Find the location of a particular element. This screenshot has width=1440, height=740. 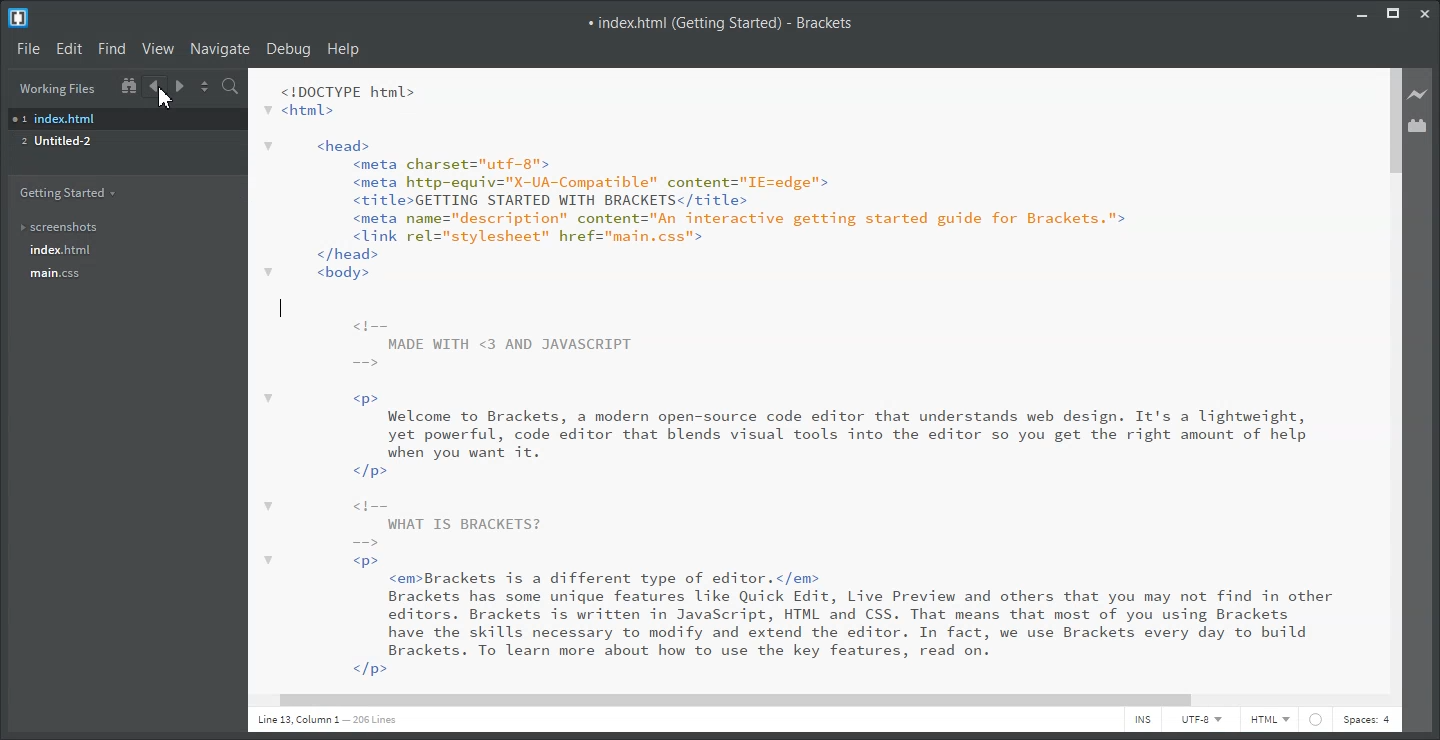

Help is located at coordinates (343, 49).